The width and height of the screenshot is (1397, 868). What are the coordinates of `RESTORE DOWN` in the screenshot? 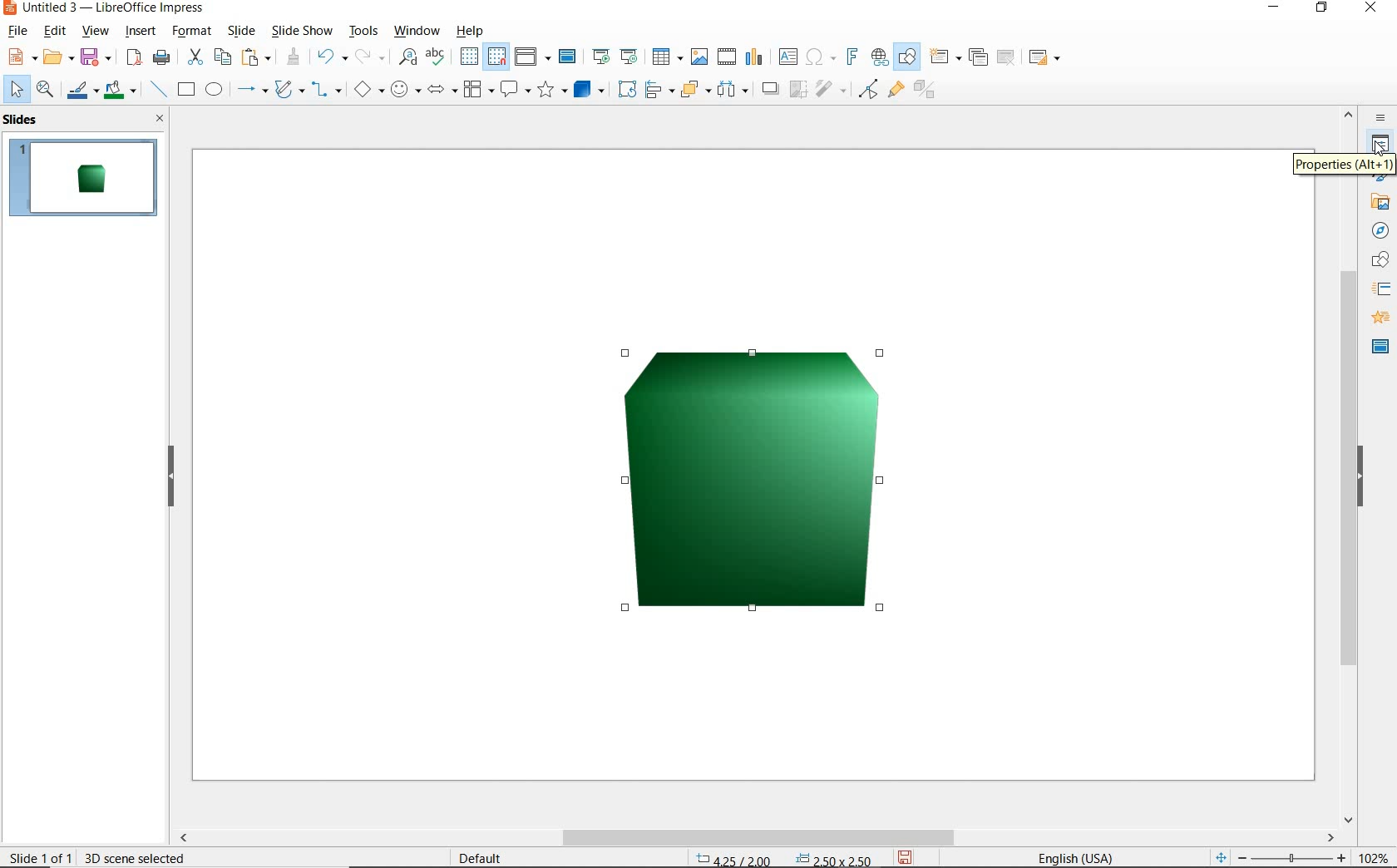 It's located at (1321, 9).